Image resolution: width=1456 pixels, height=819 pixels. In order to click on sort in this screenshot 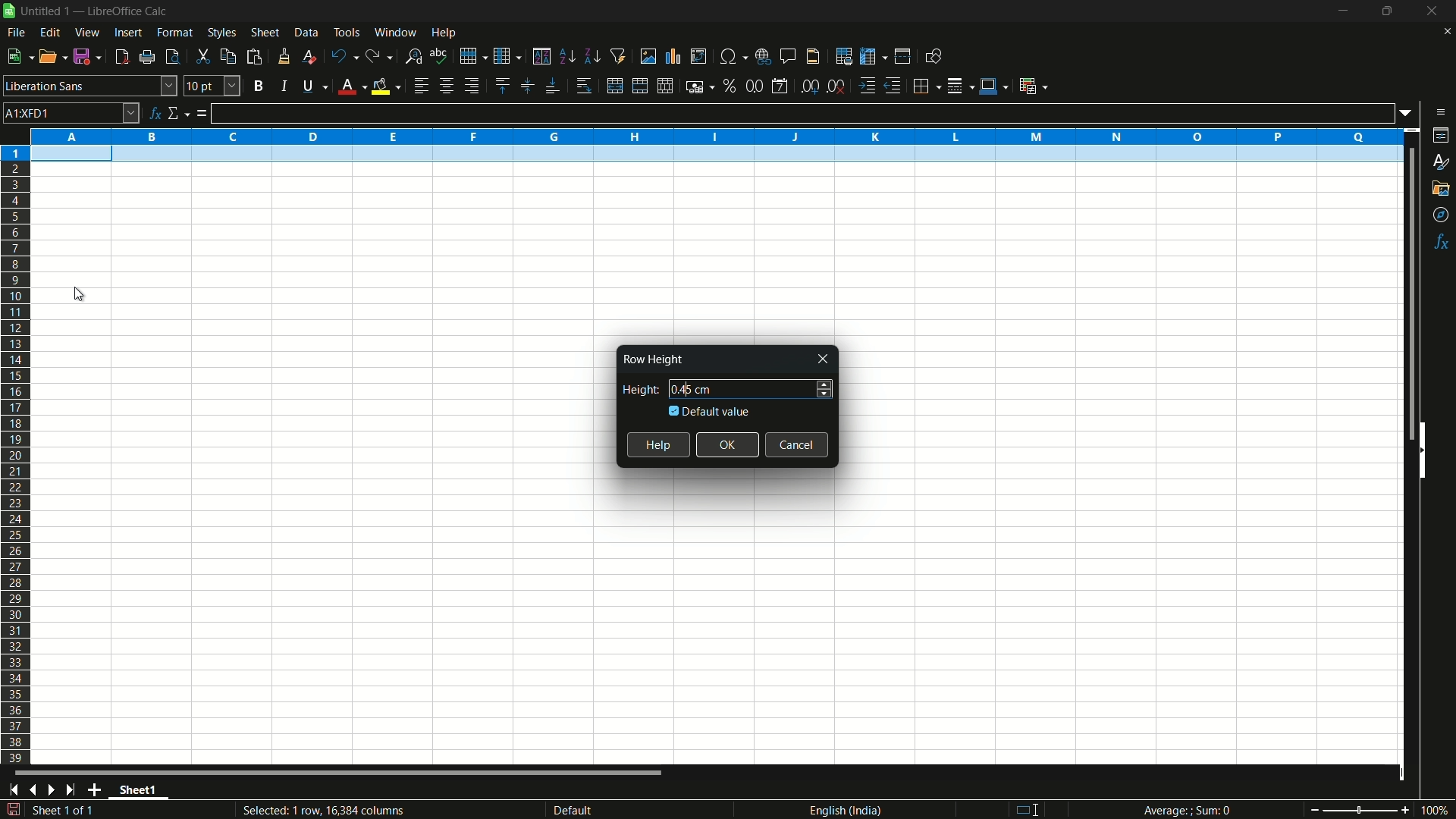, I will do `click(541, 56)`.